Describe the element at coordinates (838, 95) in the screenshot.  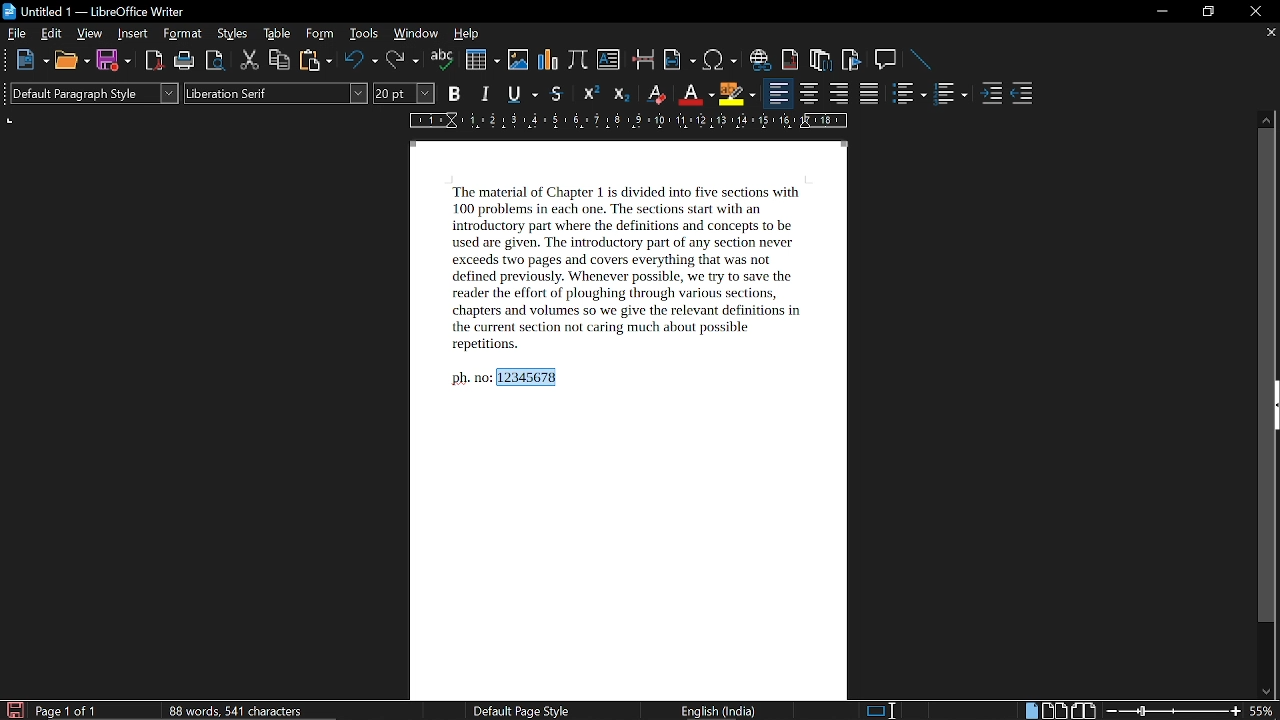
I see `align right` at that location.